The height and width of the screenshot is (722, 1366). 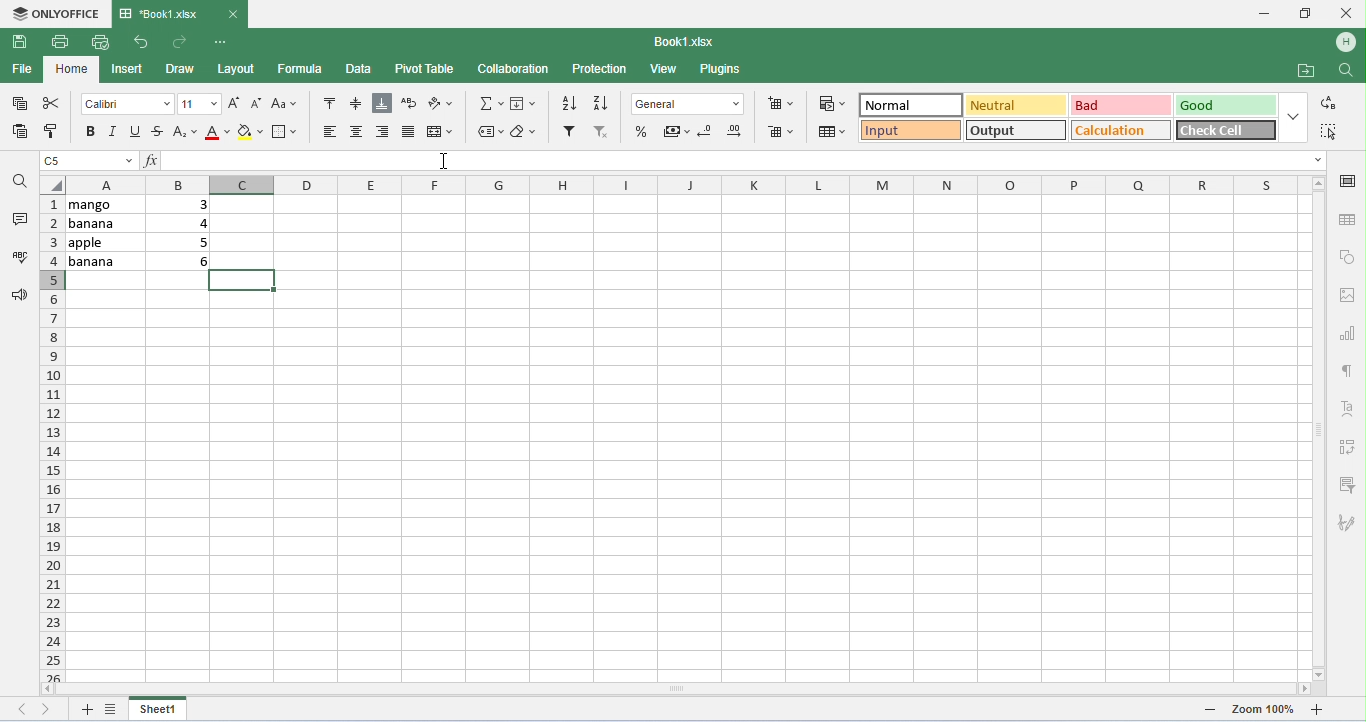 What do you see at coordinates (111, 708) in the screenshot?
I see `list of sheets` at bounding box center [111, 708].